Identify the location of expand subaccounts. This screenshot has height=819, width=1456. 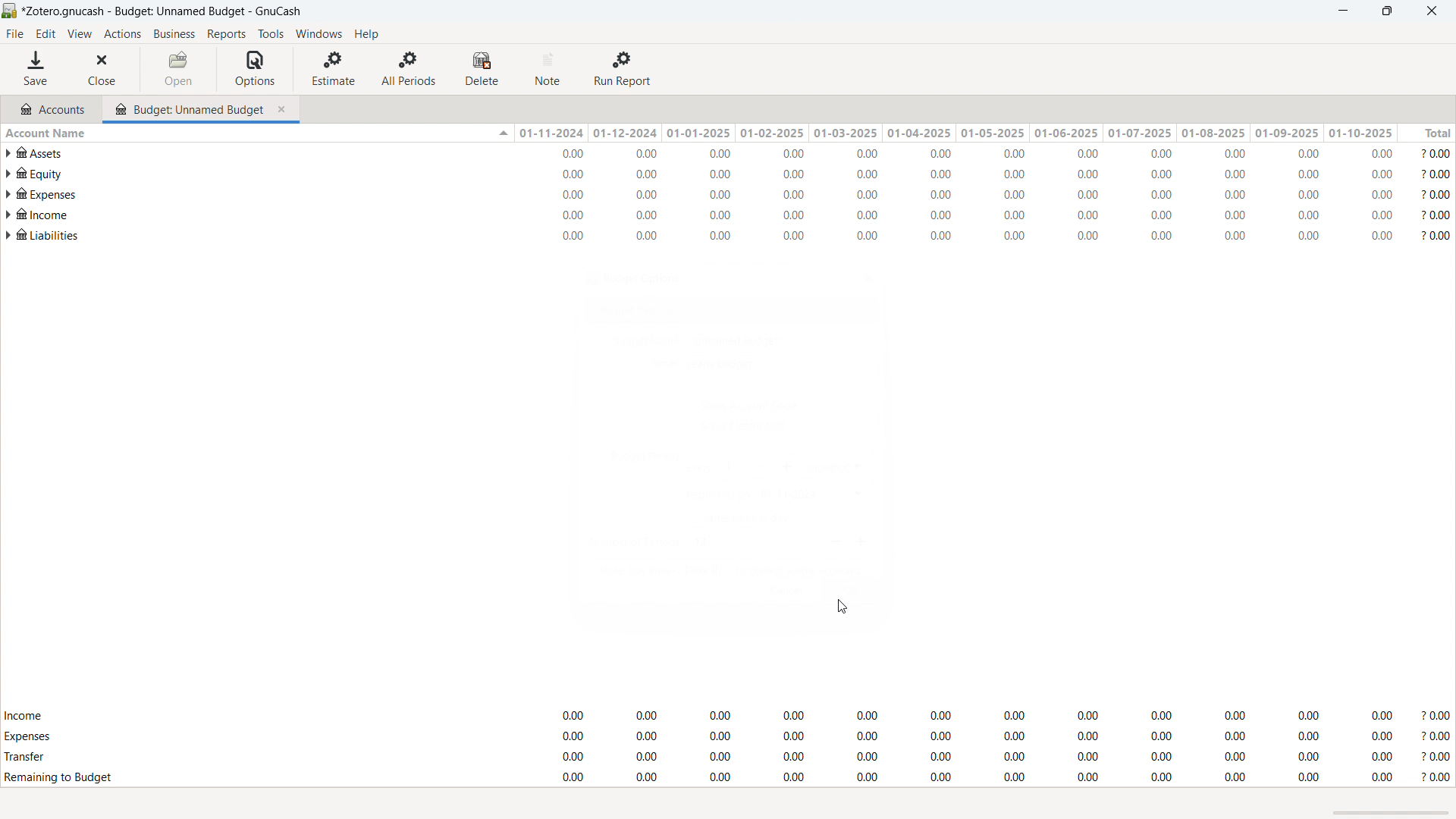
(9, 214).